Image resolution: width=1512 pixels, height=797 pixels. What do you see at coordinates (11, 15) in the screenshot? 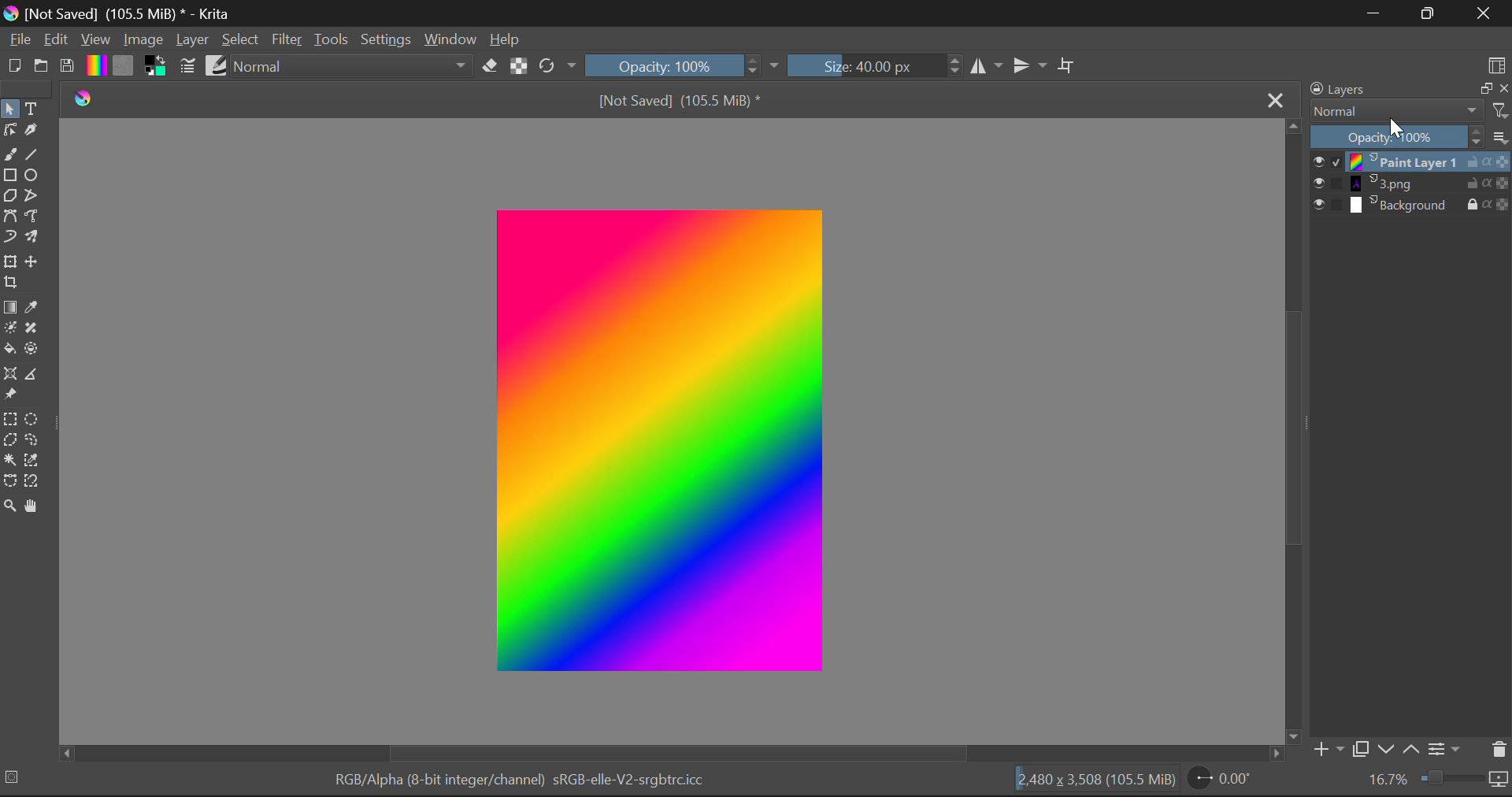
I see `logo` at bounding box center [11, 15].